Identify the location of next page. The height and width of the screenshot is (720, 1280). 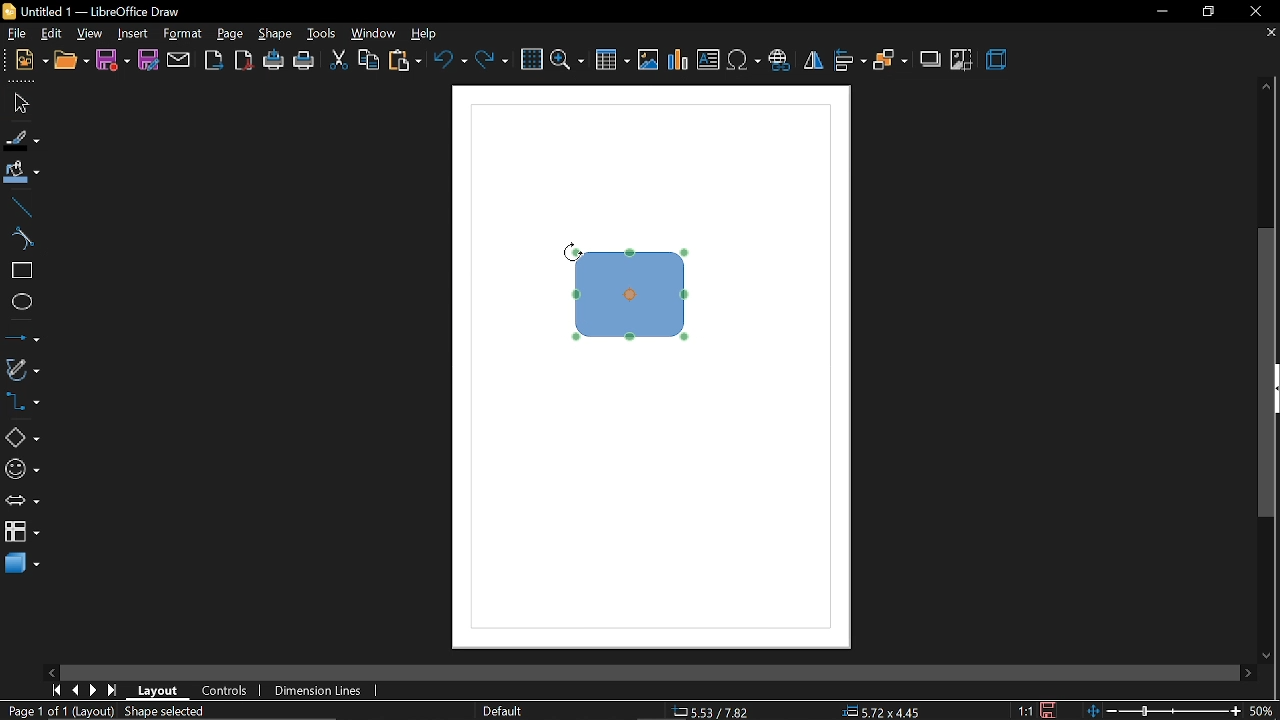
(94, 691).